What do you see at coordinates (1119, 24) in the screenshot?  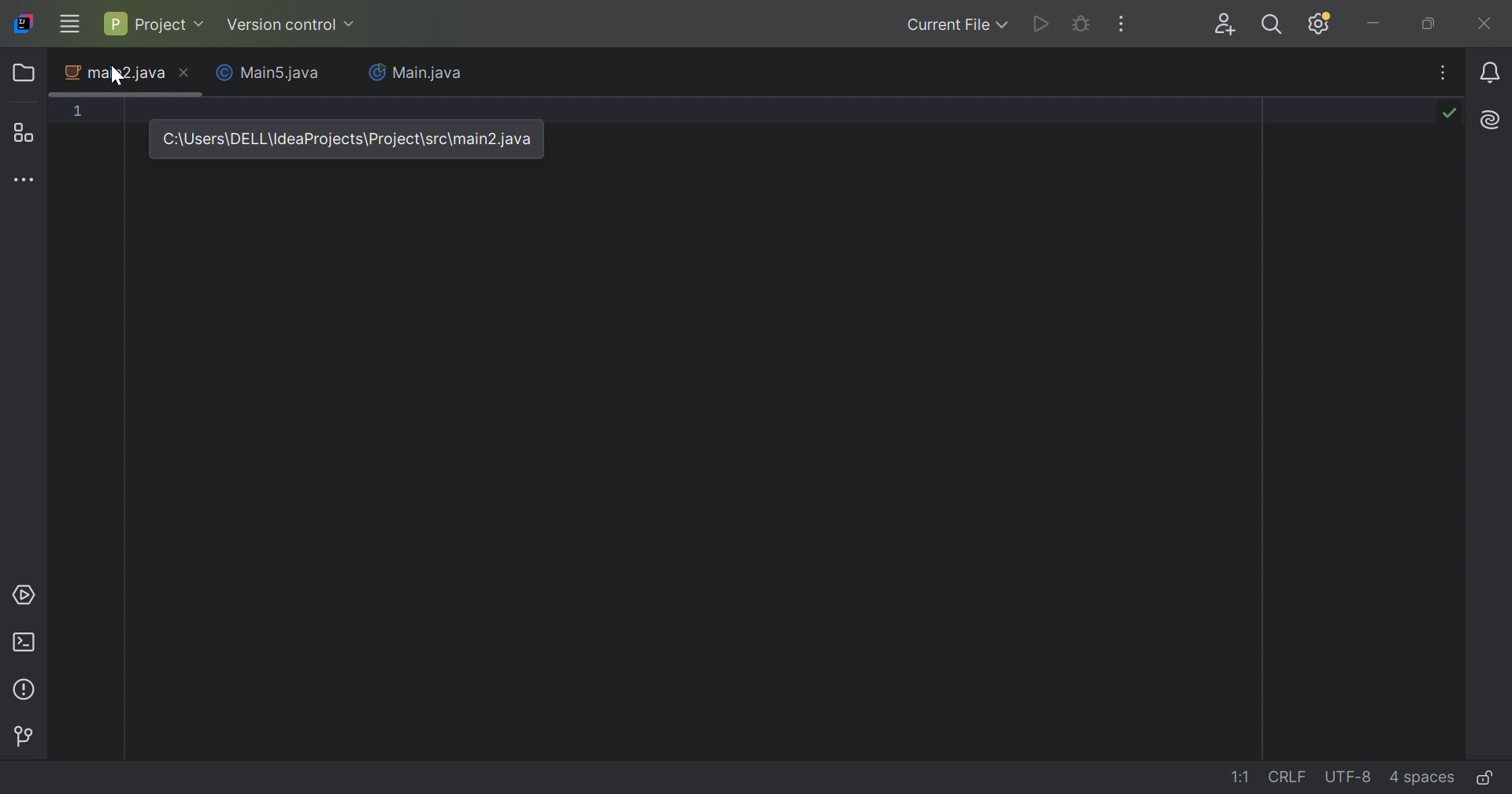 I see `More actions` at bounding box center [1119, 24].